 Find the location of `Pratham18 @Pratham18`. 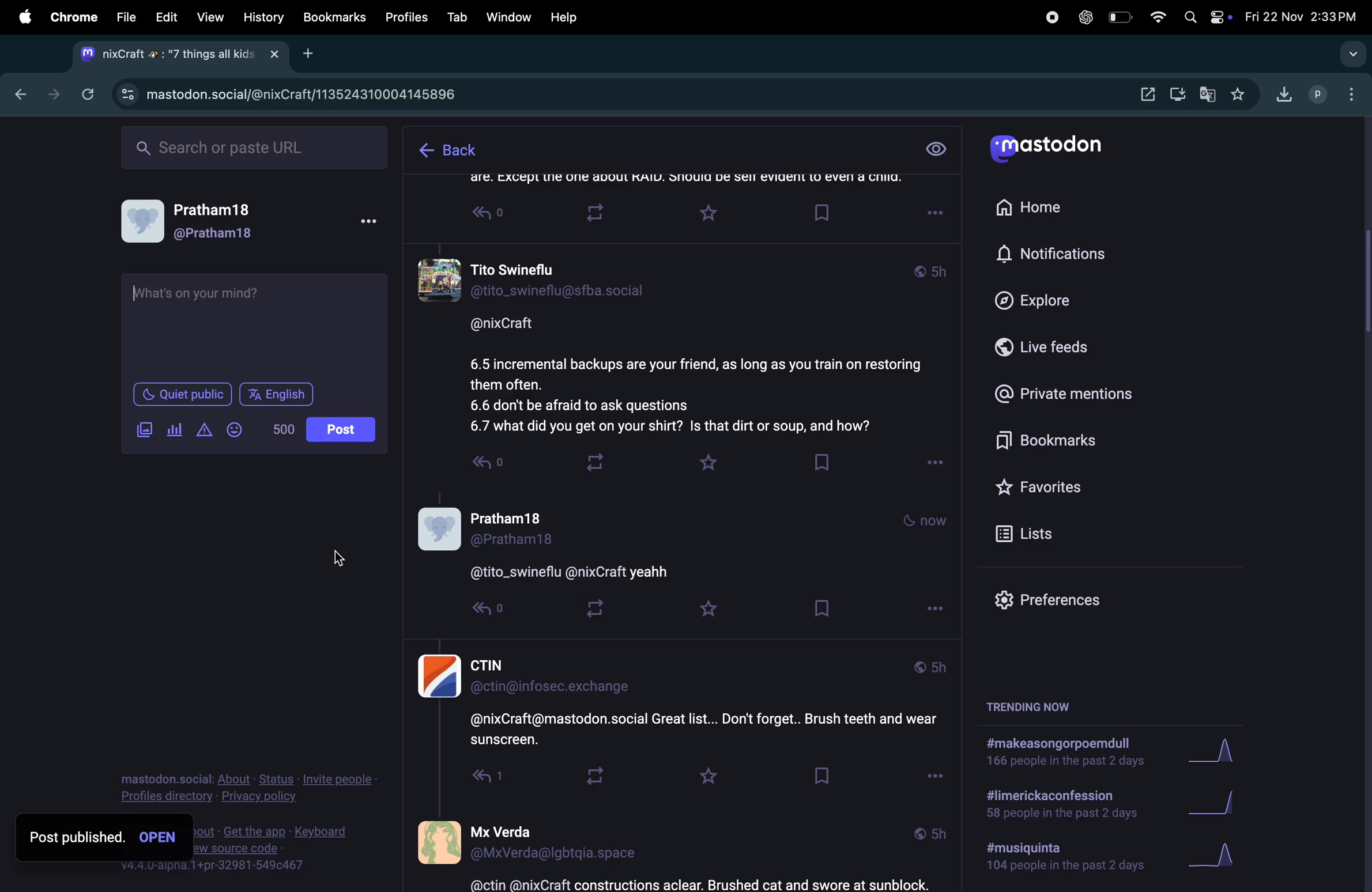

Pratham18 @Pratham18 is located at coordinates (253, 224).